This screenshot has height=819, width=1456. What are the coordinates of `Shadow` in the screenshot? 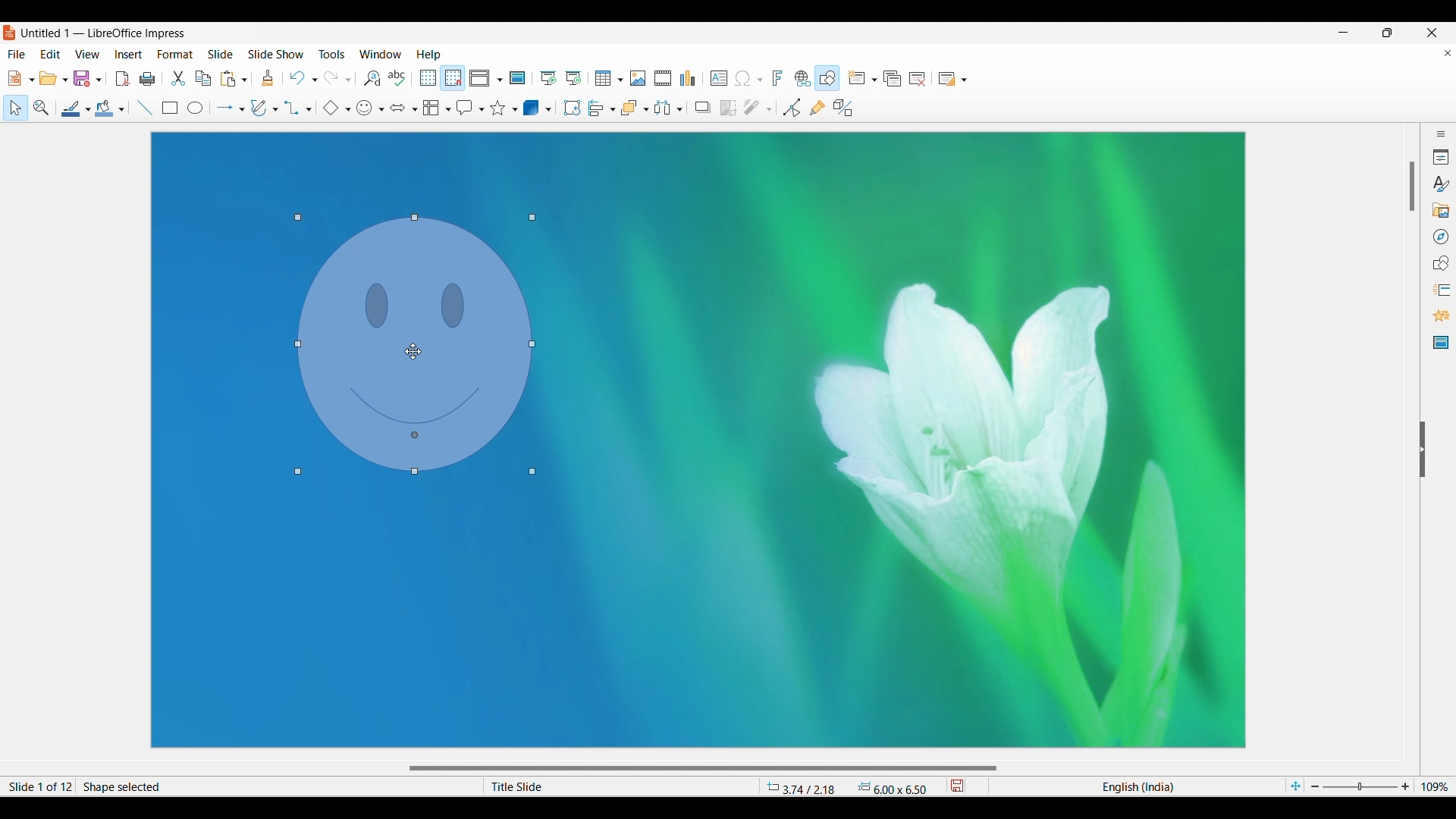 It's located at (703, 107).